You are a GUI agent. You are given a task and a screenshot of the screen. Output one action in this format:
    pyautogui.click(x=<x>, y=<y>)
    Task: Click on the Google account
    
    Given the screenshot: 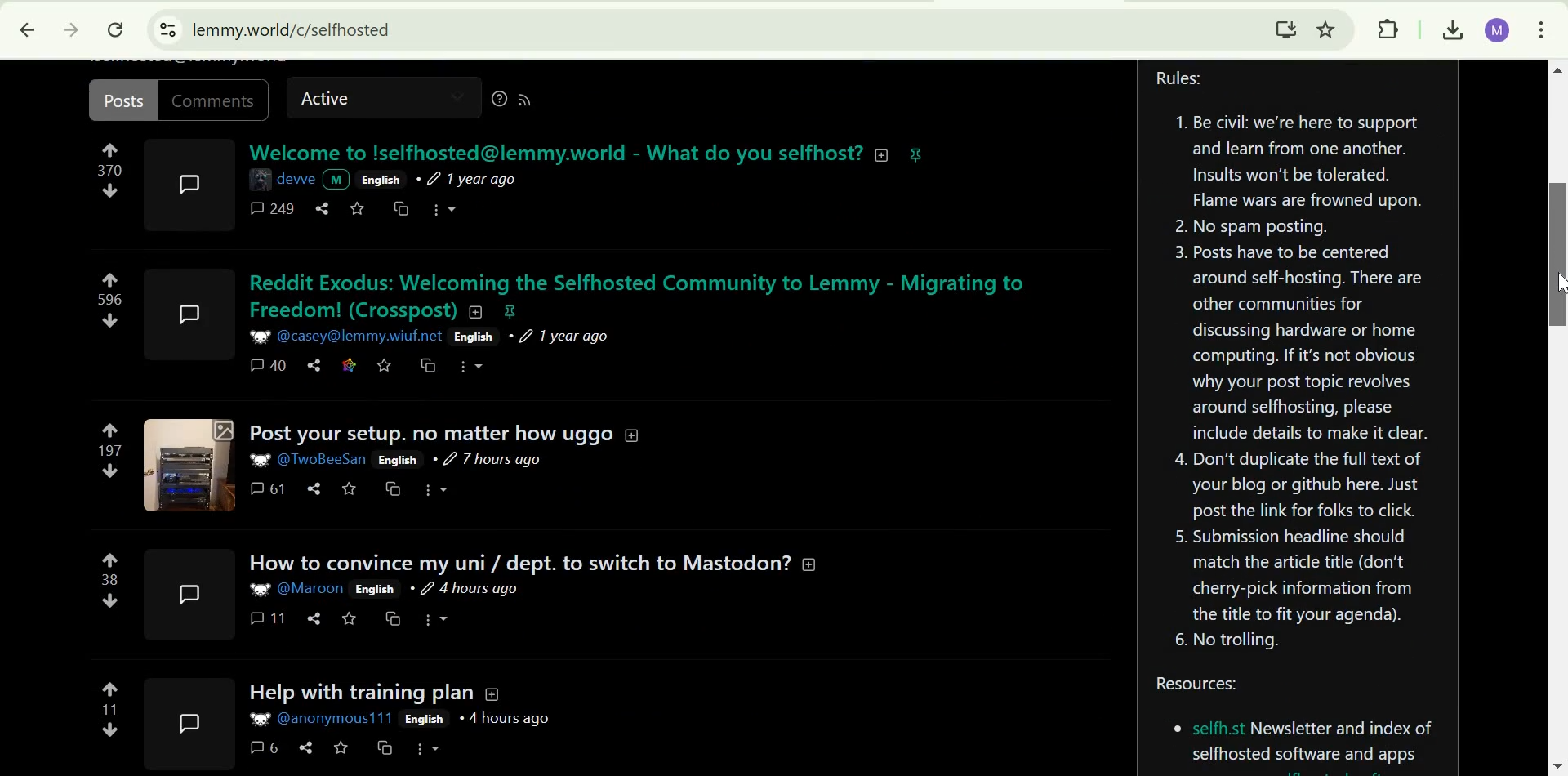 What is the action you would take?
    pyautogui.click(x=1499, y=31)
    